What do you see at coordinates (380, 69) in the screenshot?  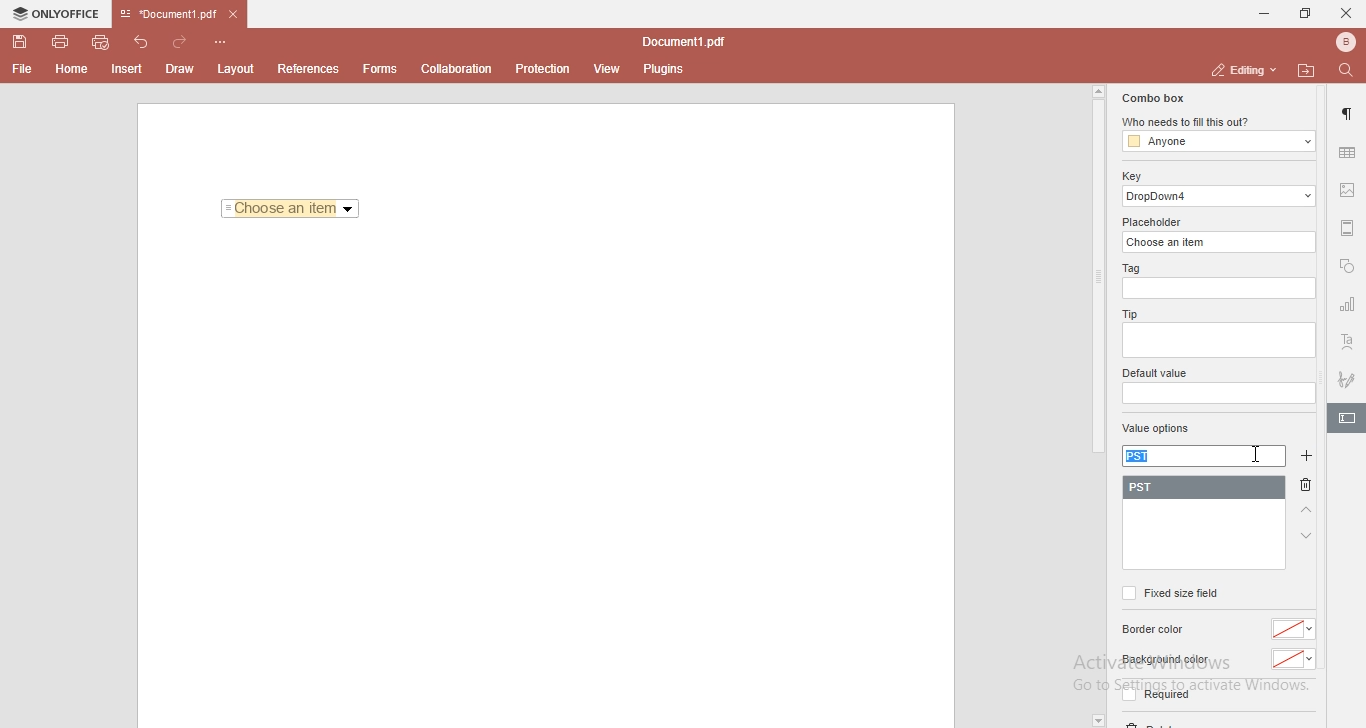 I see `forms` at bounding box center [380, 69].